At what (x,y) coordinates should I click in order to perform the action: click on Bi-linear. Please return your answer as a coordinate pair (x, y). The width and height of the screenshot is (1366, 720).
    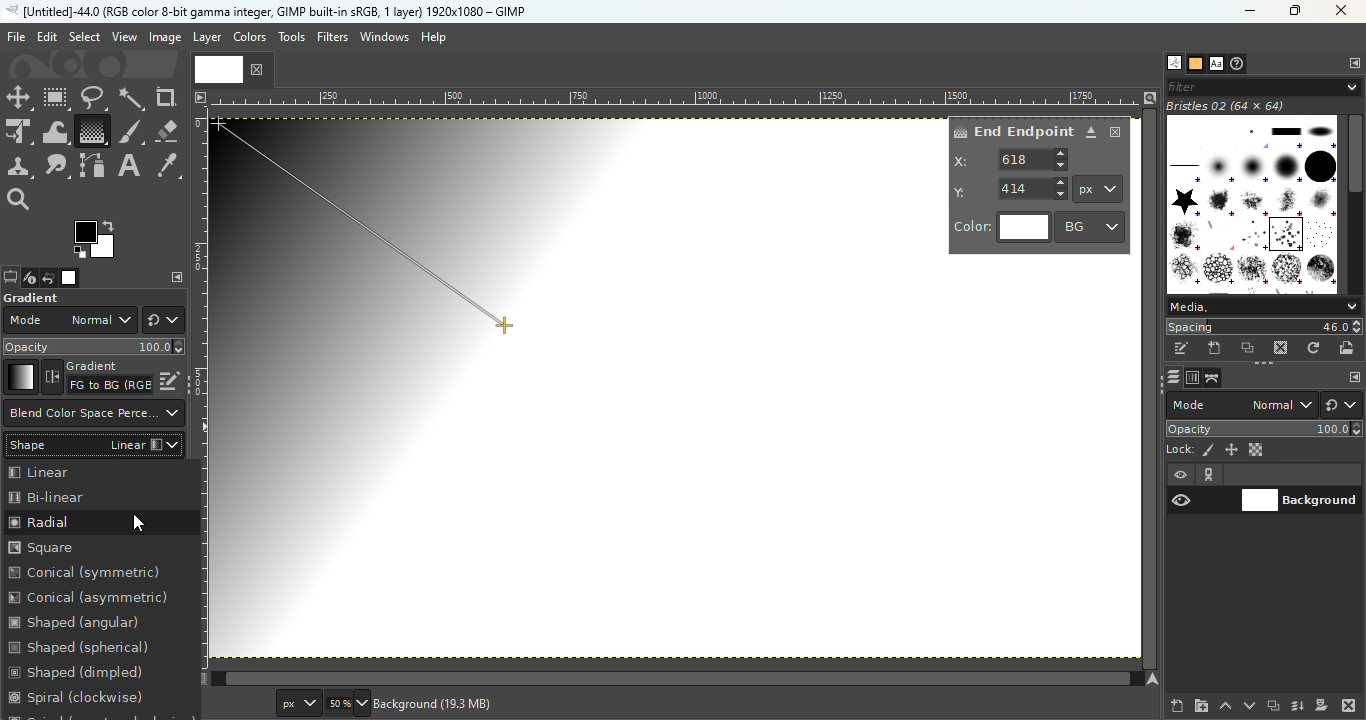
    Looking at the image, I should click on (64, 496).